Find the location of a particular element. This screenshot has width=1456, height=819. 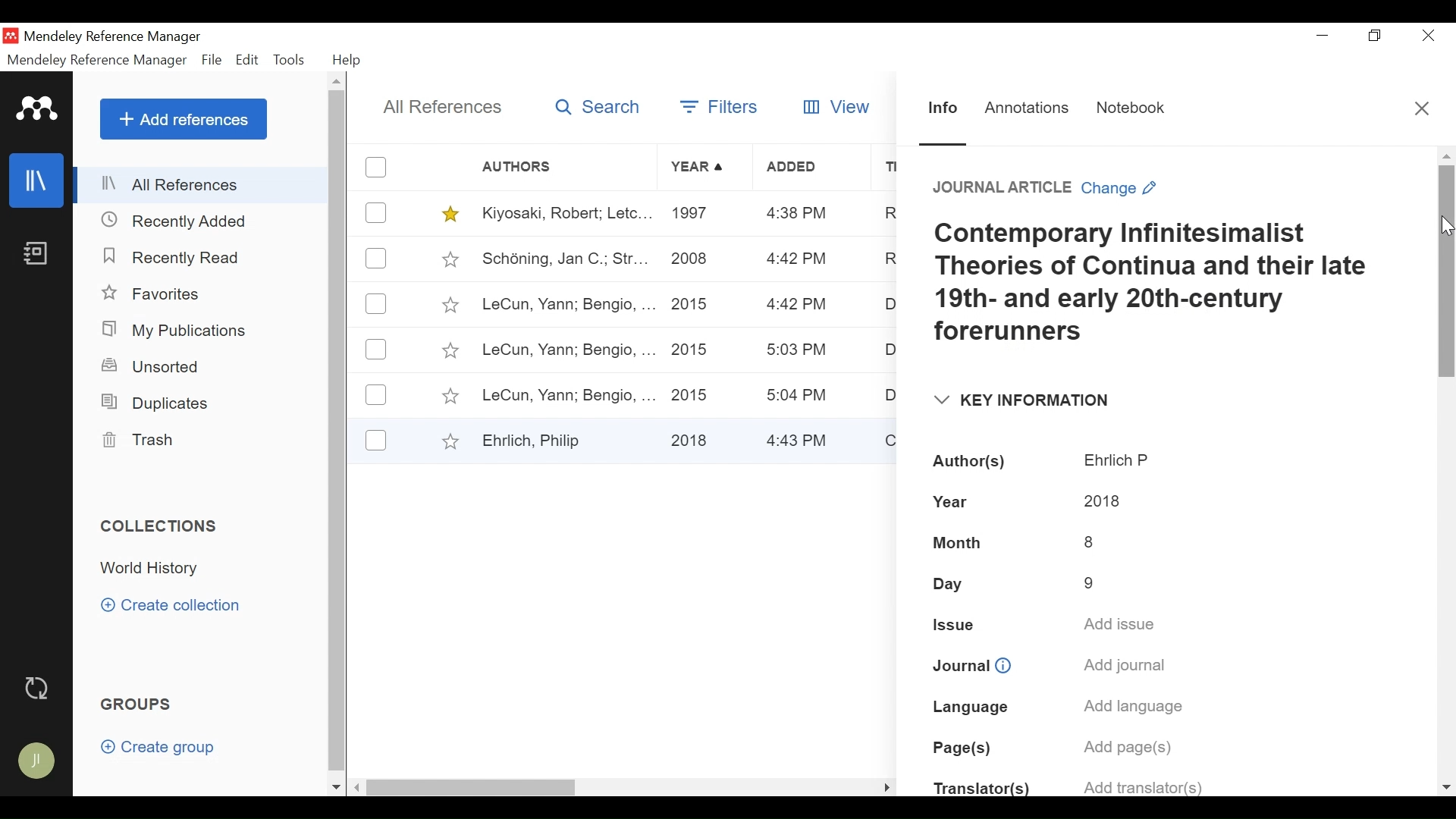

Mendeley is located at coordinates (38, 108).